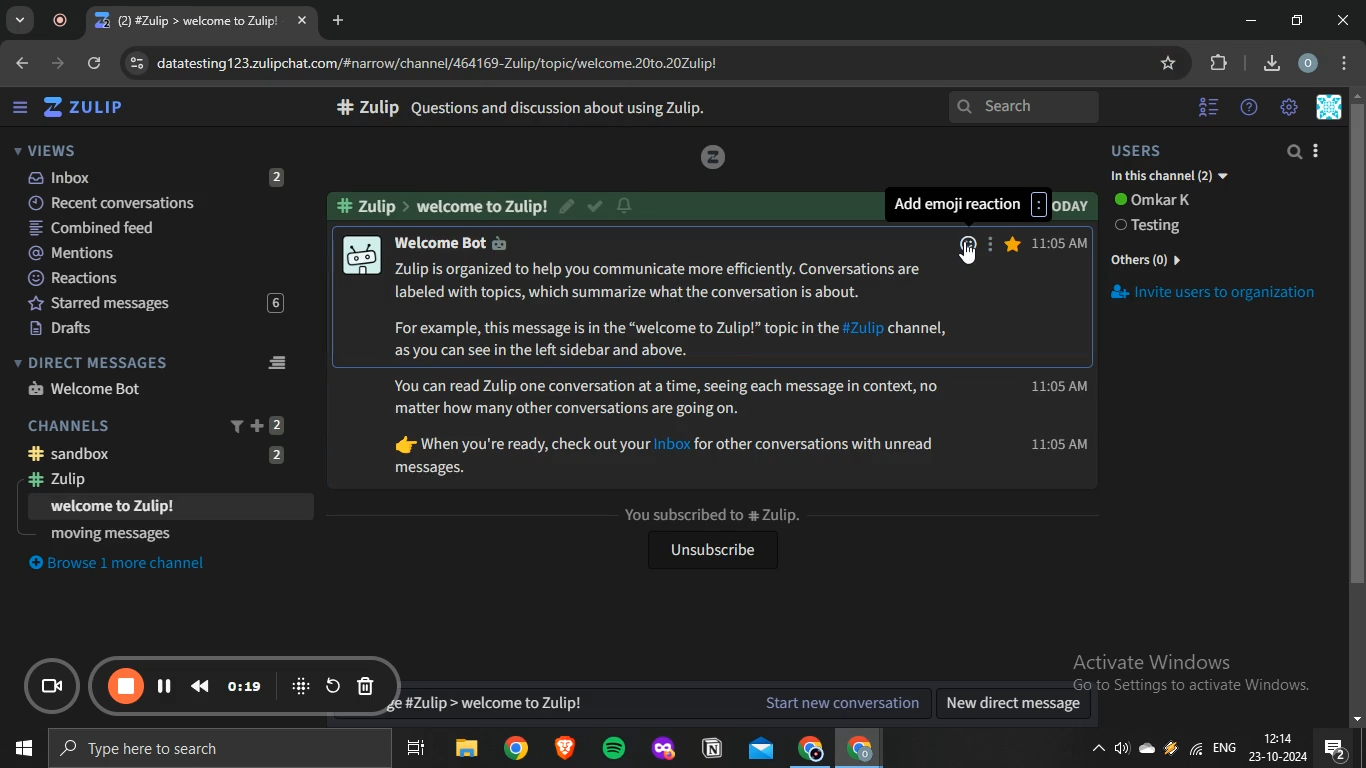 The width and height of the screenshot is (1366, 768). What do you see at coordinates (65, 21) in the screenshot?
I see `recording` at bounding box center [65, 21].